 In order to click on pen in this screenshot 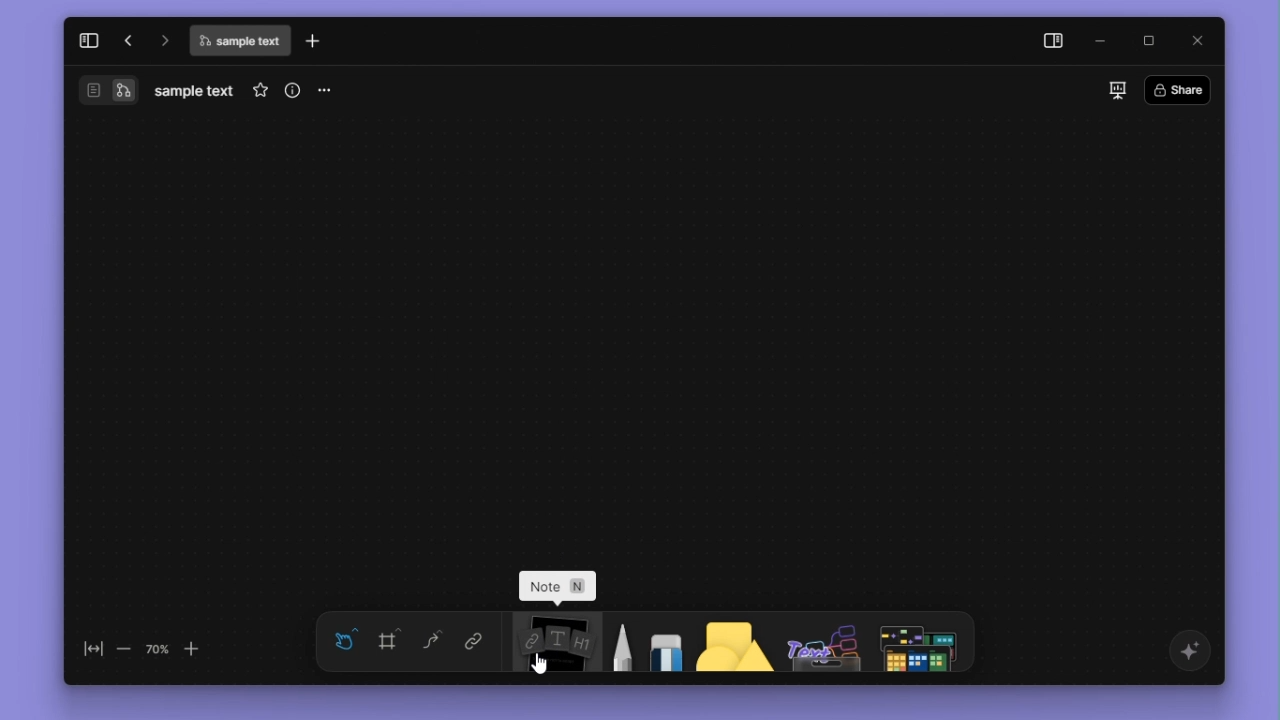, I will do `click(618, 644)`.